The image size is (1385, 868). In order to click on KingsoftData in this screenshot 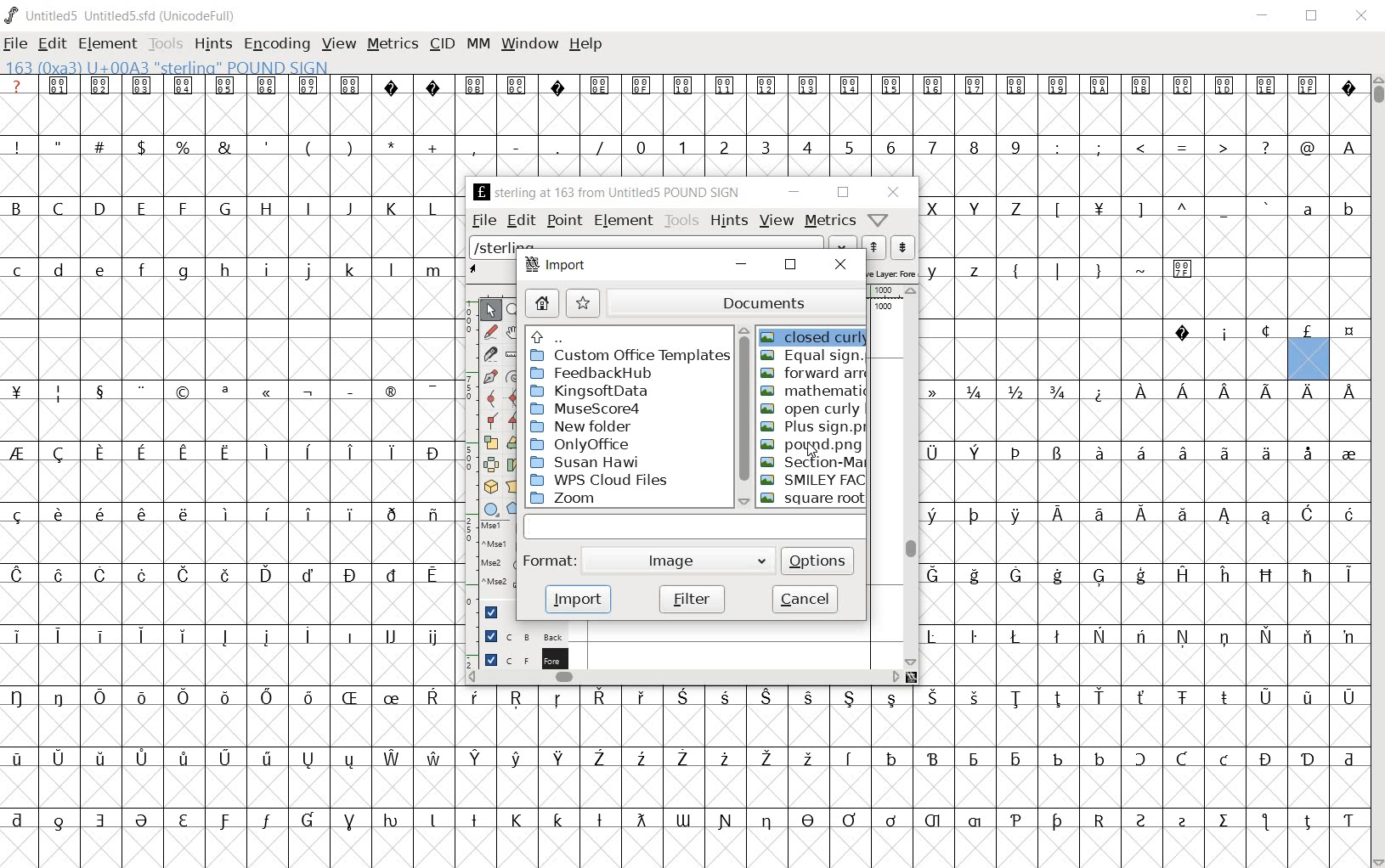, I will do `click(598, 390)`.